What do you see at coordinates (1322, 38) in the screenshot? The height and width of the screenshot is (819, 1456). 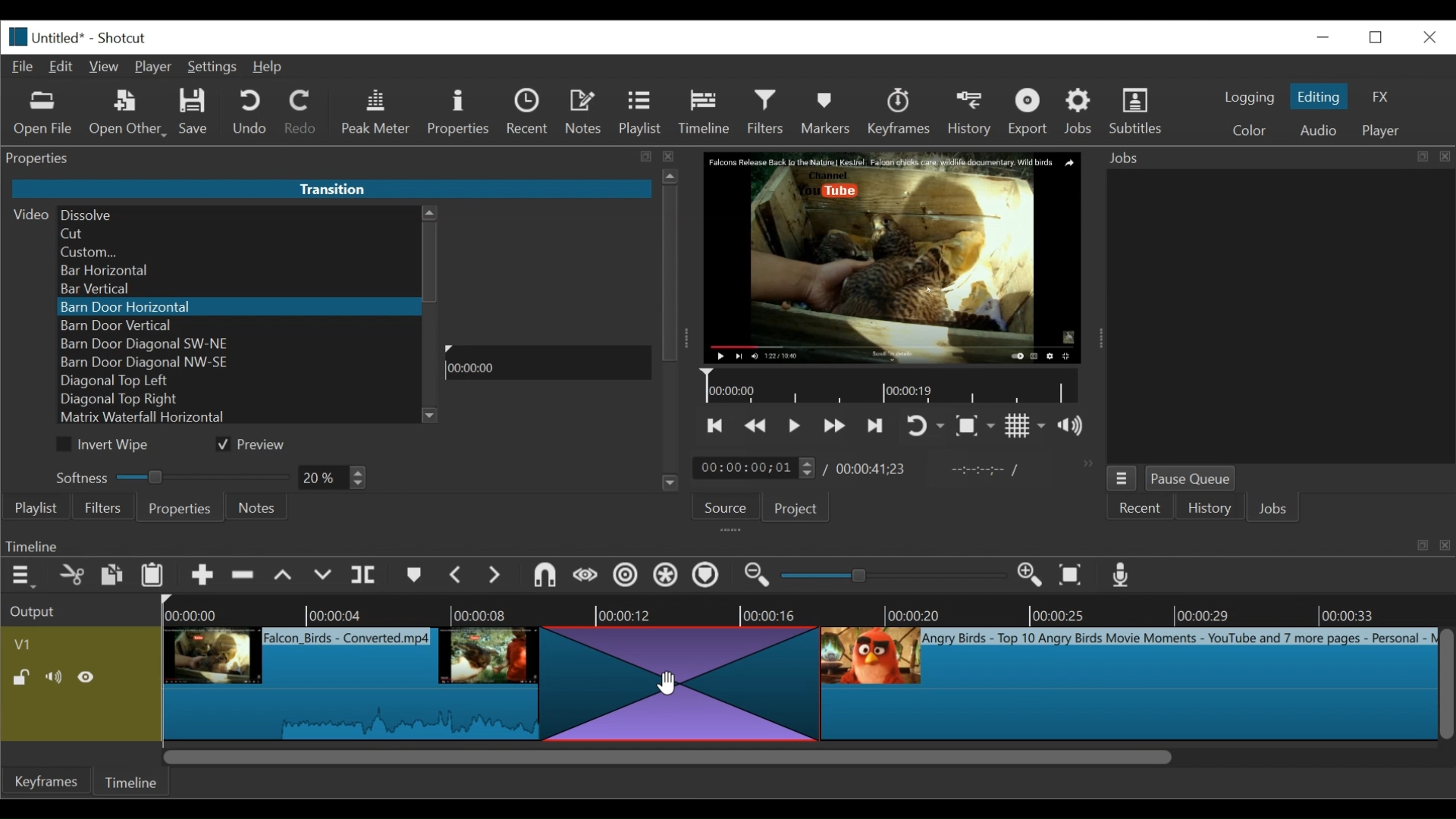 I see `minimize` at bounding box center [1322, 38].